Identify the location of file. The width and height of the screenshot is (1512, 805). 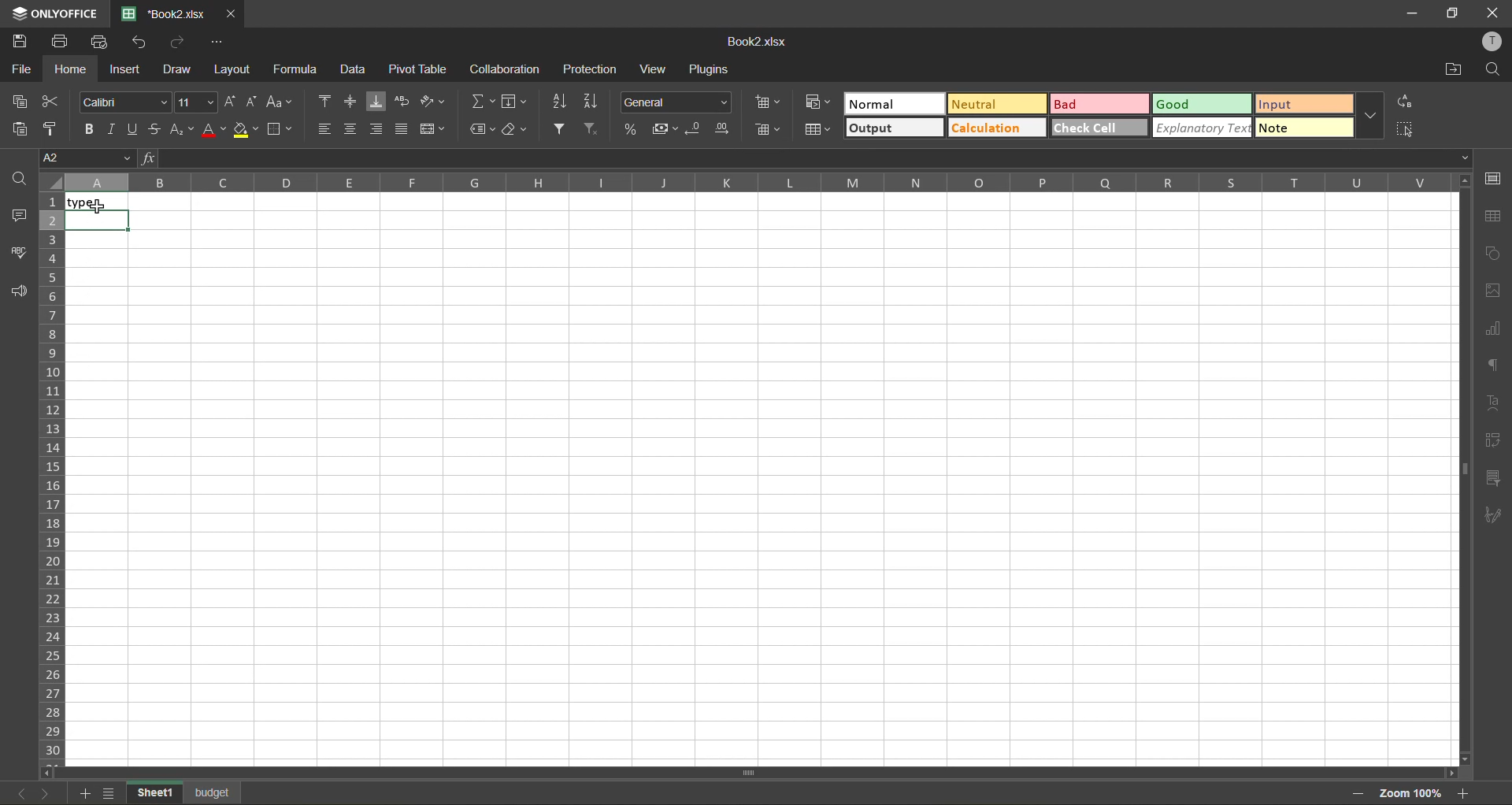
(19, 69).